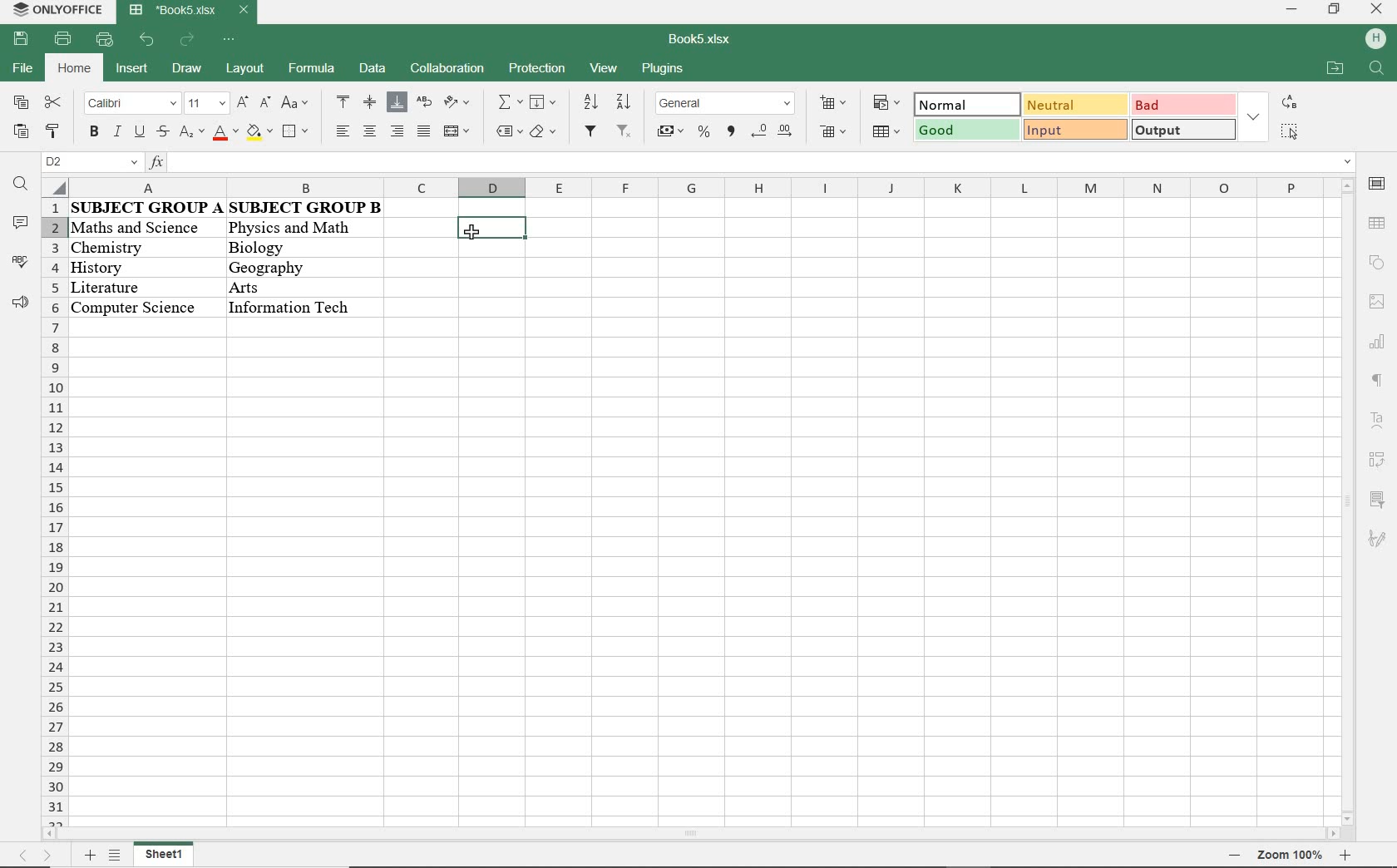  What do you see at coordinates (230, 40) in the screenshot?
I see `customize quick access toolbar` at bounding box center [230, 40].